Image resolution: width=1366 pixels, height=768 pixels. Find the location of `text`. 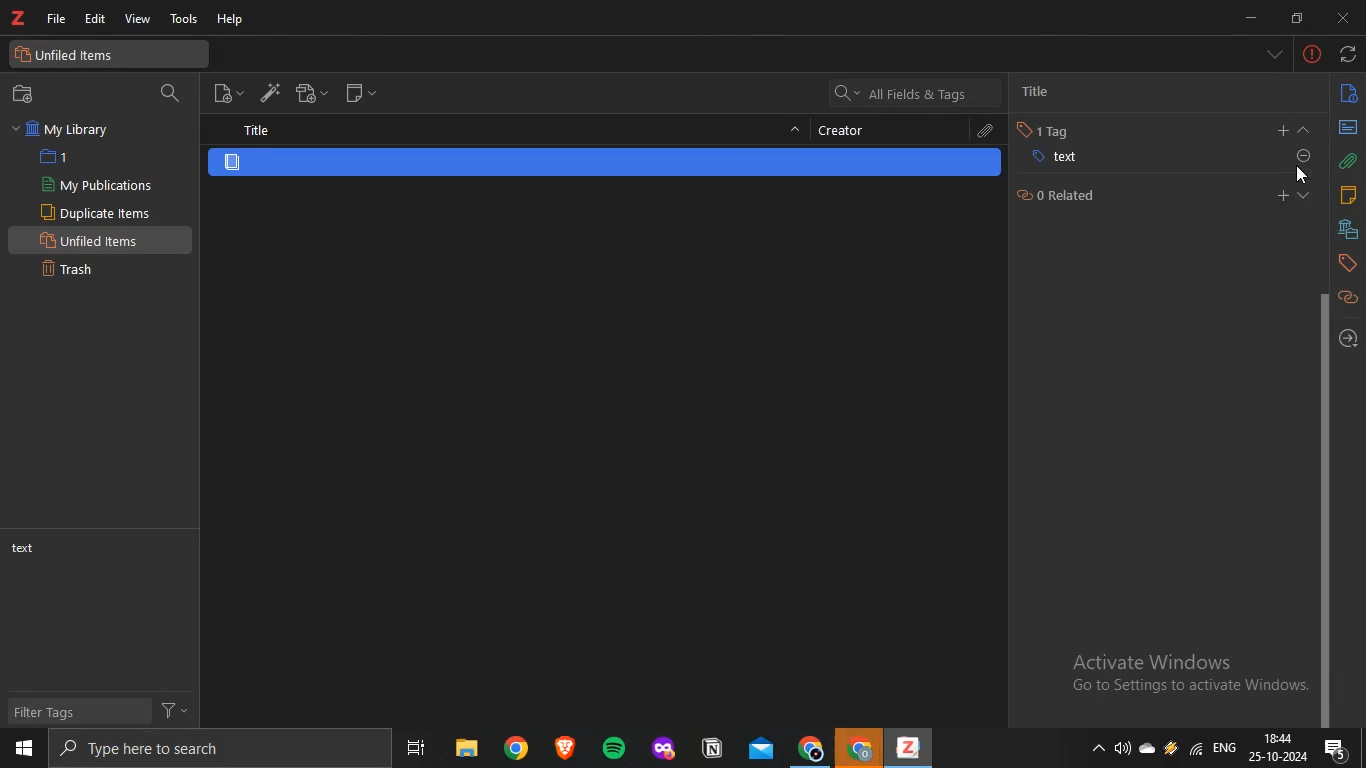

text is located at coordinates (28, 550).